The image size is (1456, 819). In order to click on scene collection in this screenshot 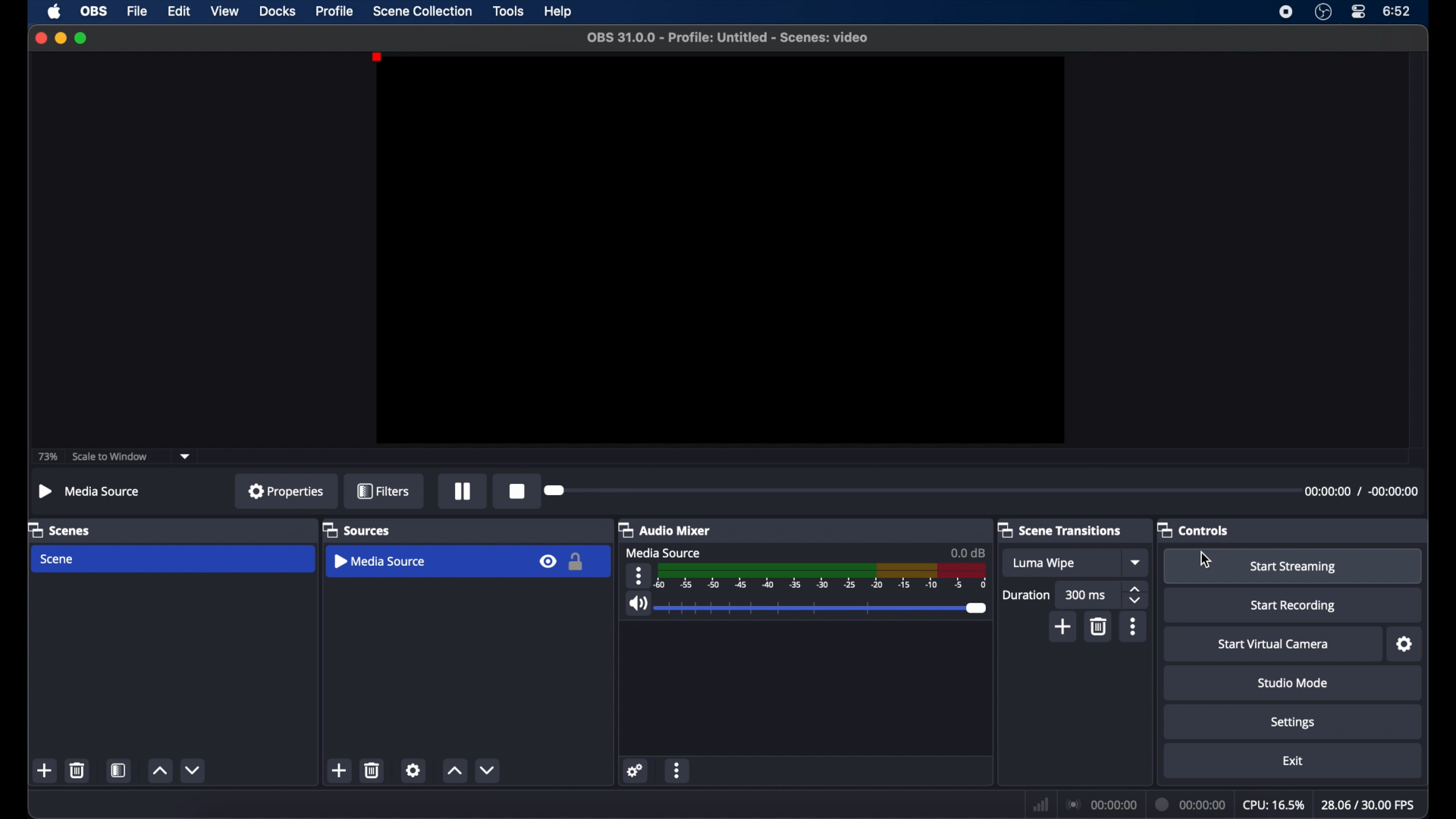, I will do `click(422, 11)`.